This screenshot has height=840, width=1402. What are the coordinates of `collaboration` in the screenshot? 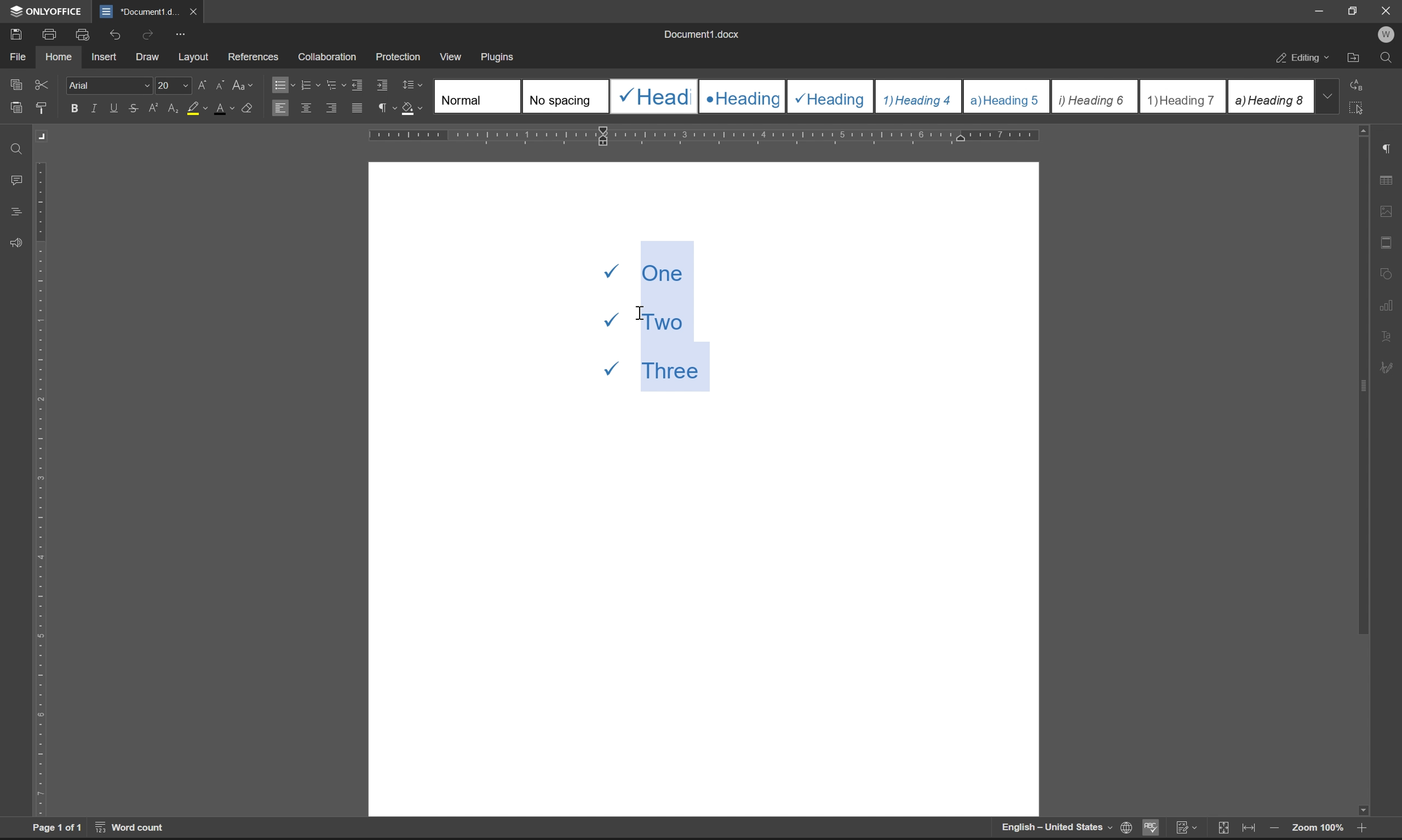 It's located at (331, 57).